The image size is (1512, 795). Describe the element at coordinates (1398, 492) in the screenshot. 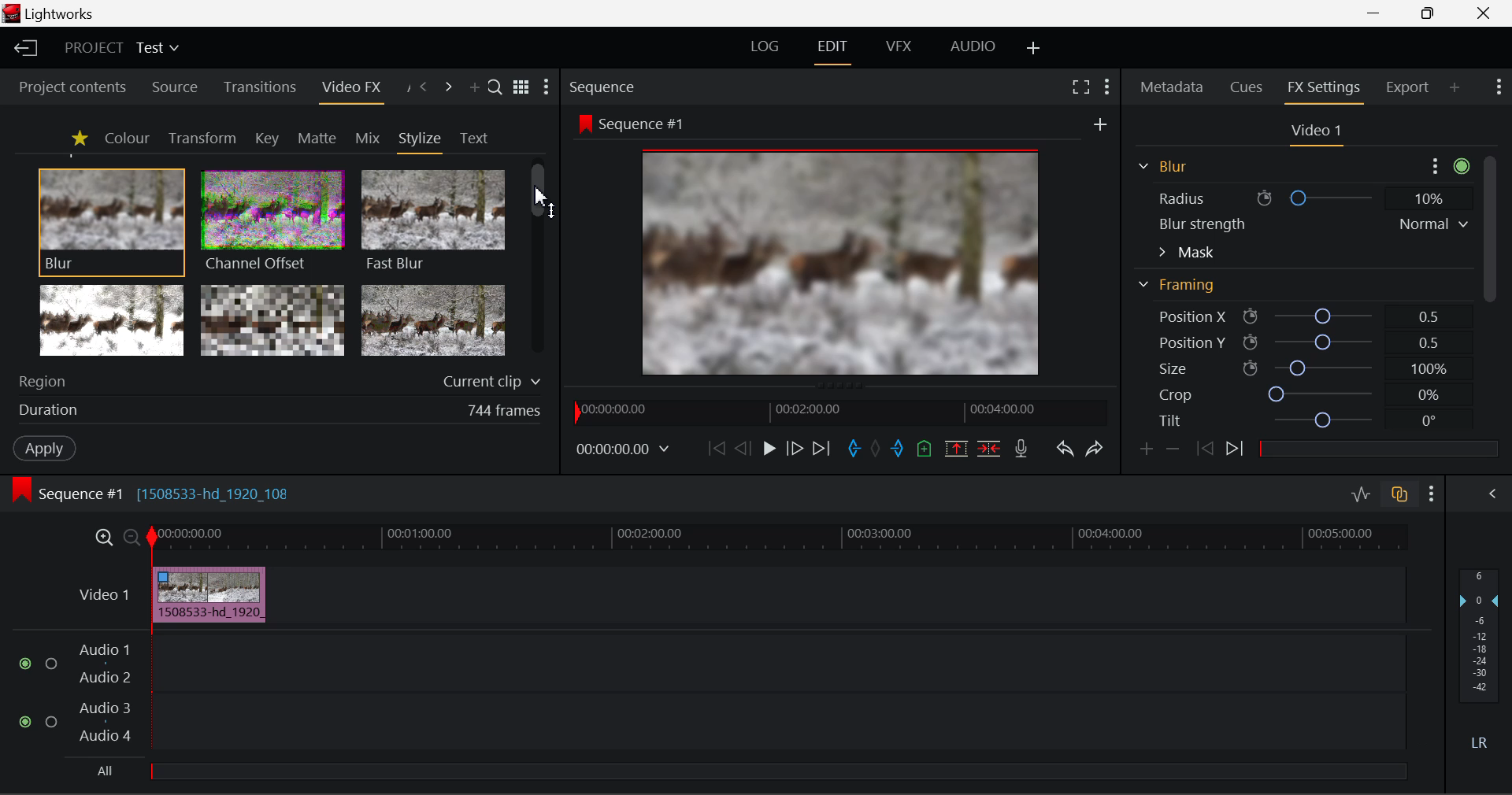

I see `Toggle auto track sync` at that location.